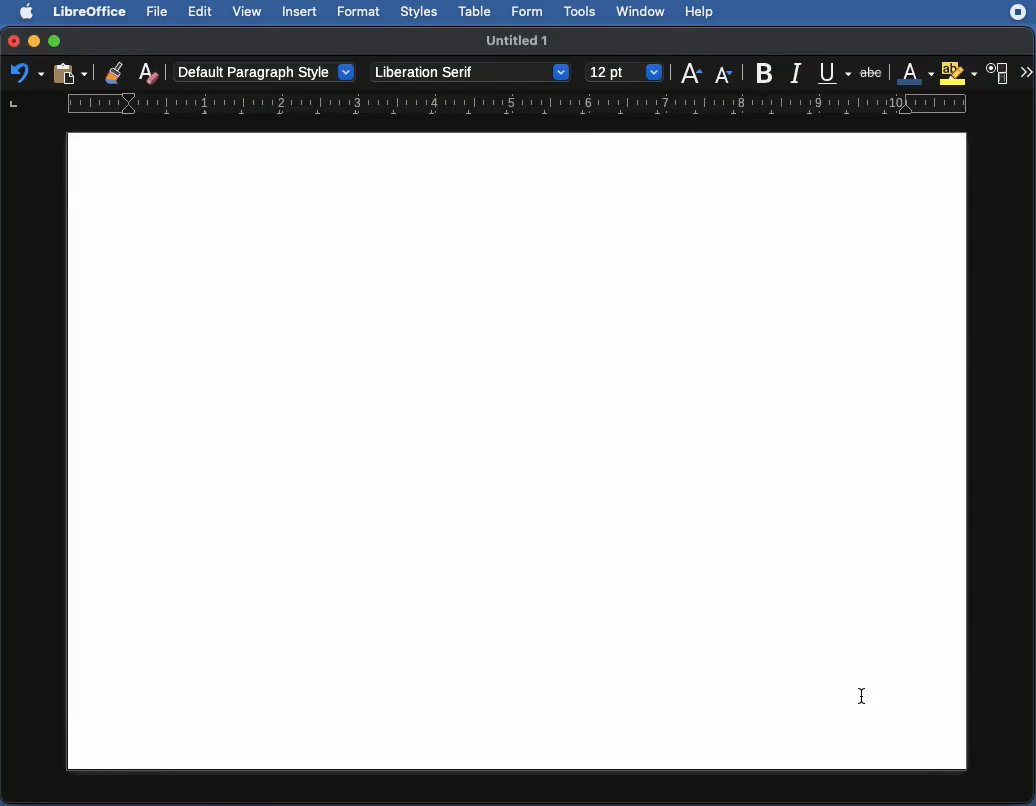  What do you see at coordinates (582, 11) in the screenshot?
I see `Tools` at bounding box center [582, 11].